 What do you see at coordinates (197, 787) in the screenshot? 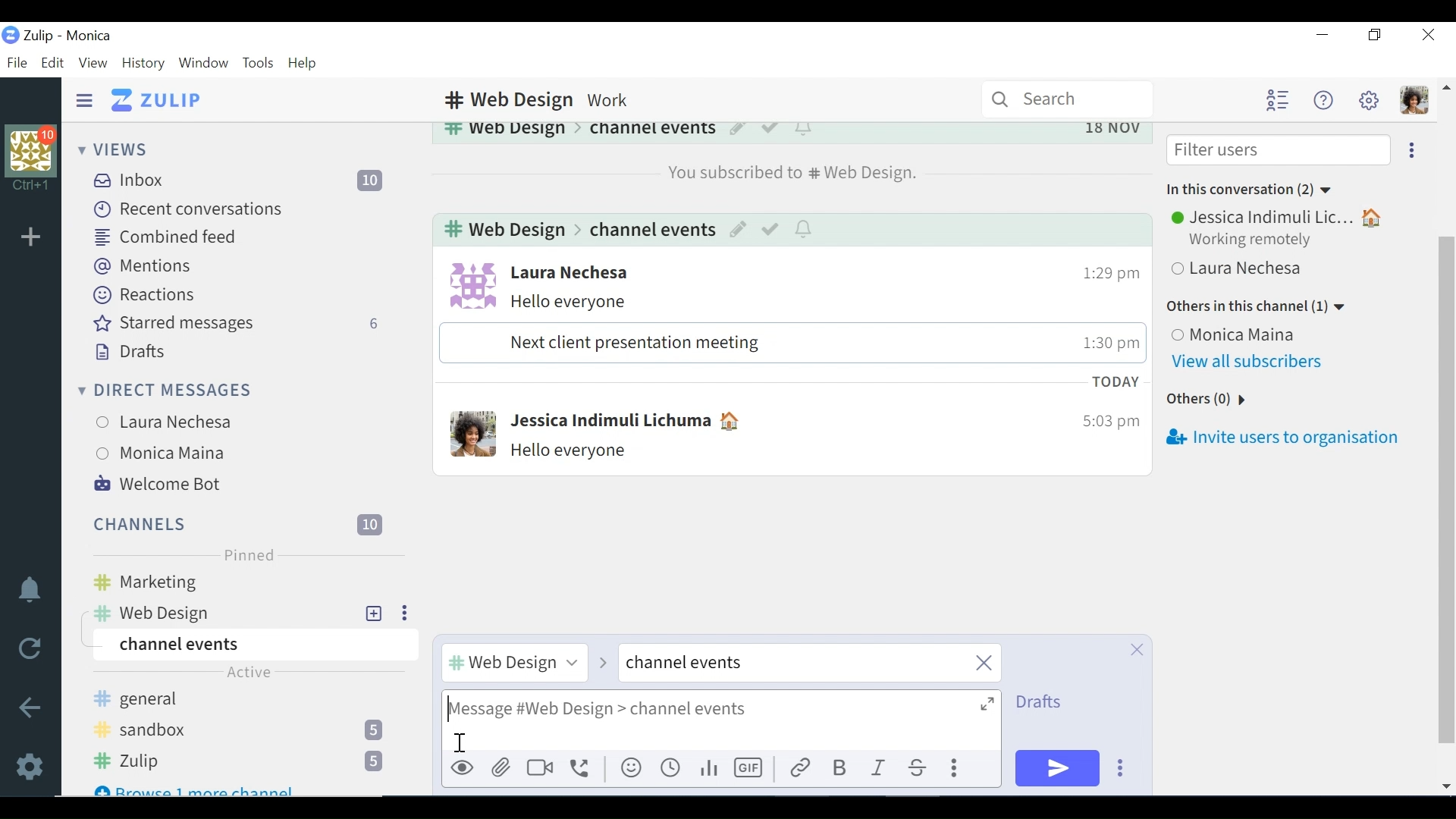
I see `Browse 1 more channel` at bounding box center [197, 787].